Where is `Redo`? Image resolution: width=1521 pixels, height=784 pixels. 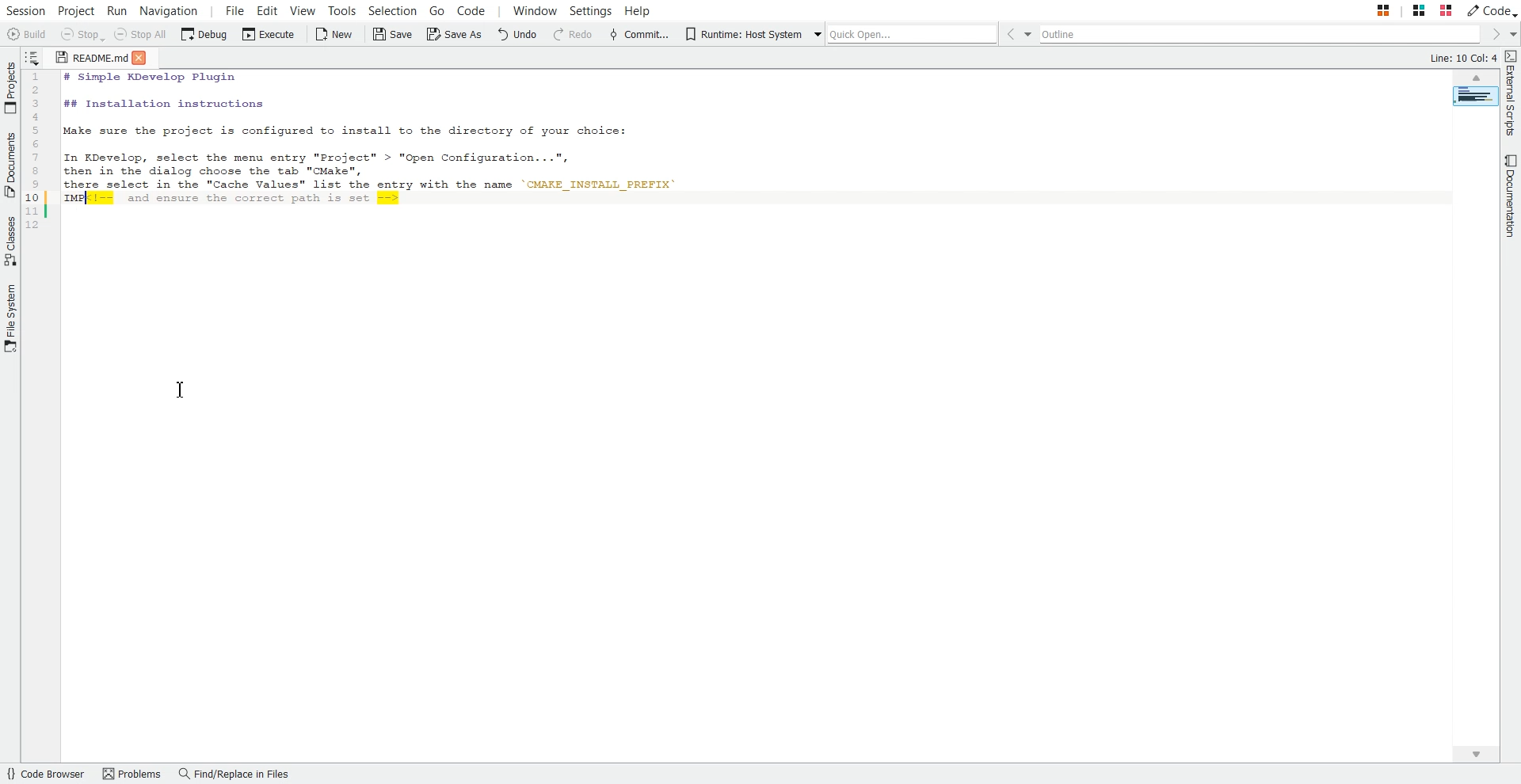 Redo is located at coordinates (574, 35).